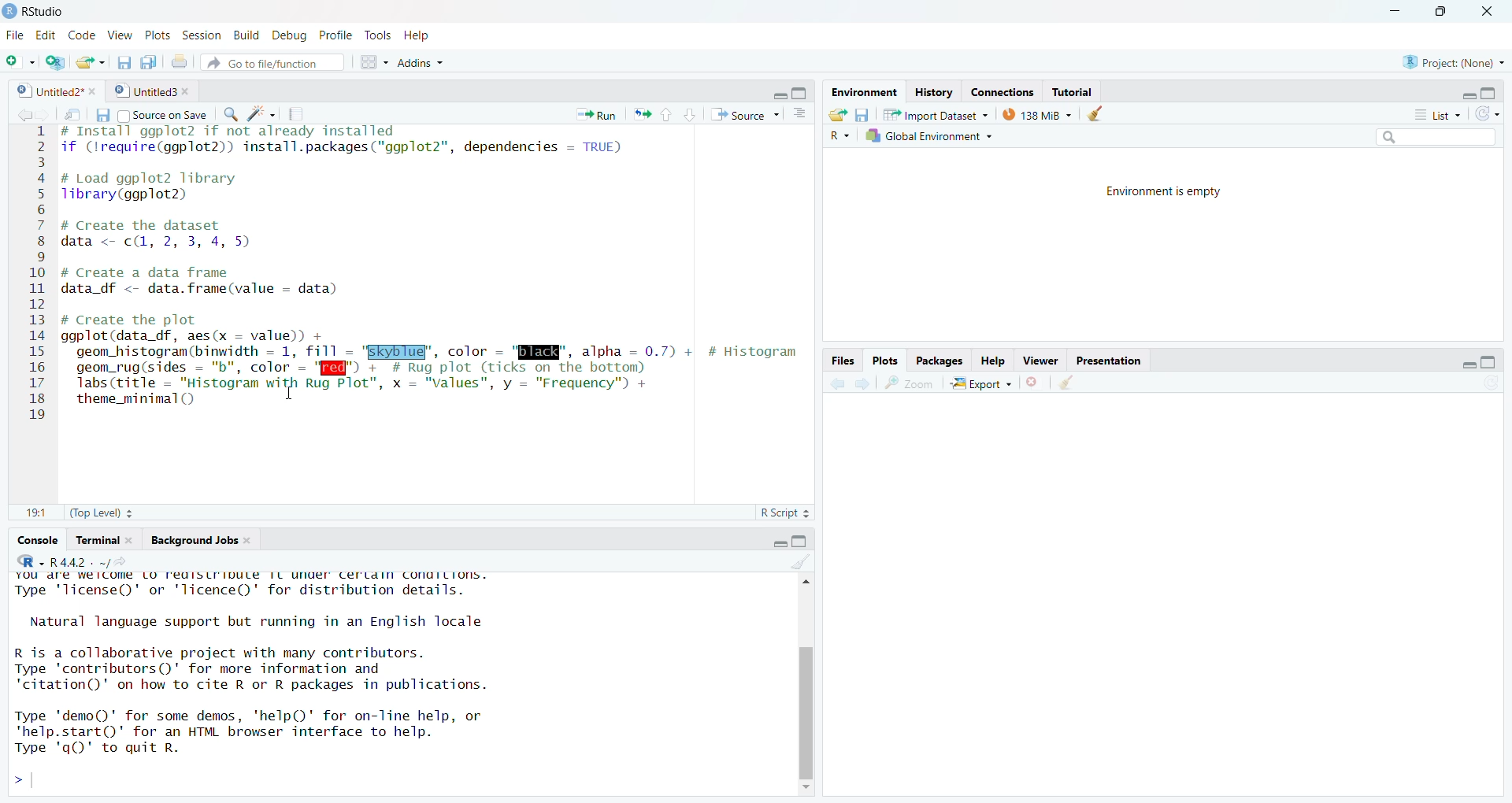 The height and width of the screenshot is (803, 1512). I want to click on refresh, so click(1498, 113).